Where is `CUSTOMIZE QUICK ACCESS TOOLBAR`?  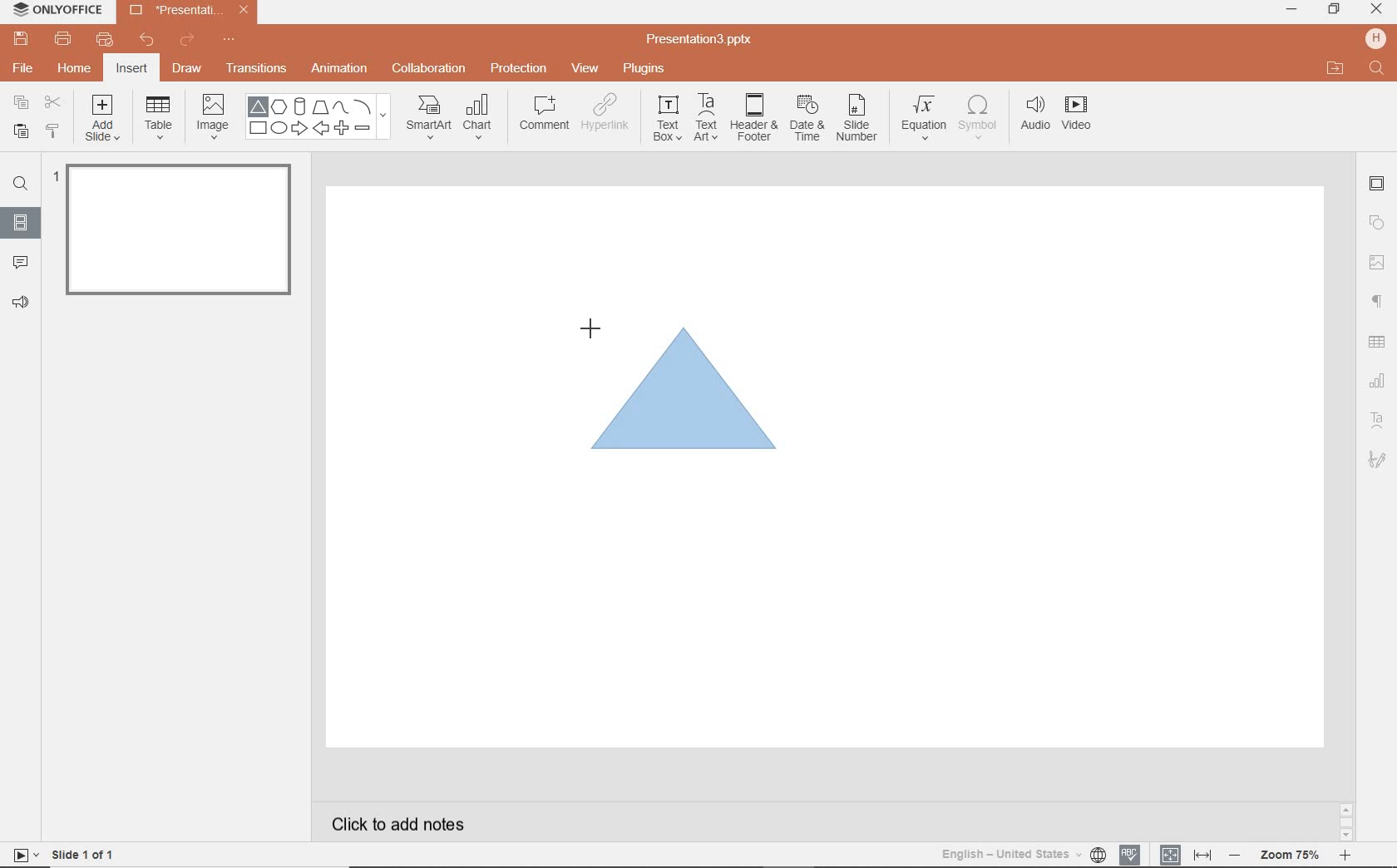
CUSTOMIZE QUICK ACCESS TOOLBAR is located at coordinates (229, 40).